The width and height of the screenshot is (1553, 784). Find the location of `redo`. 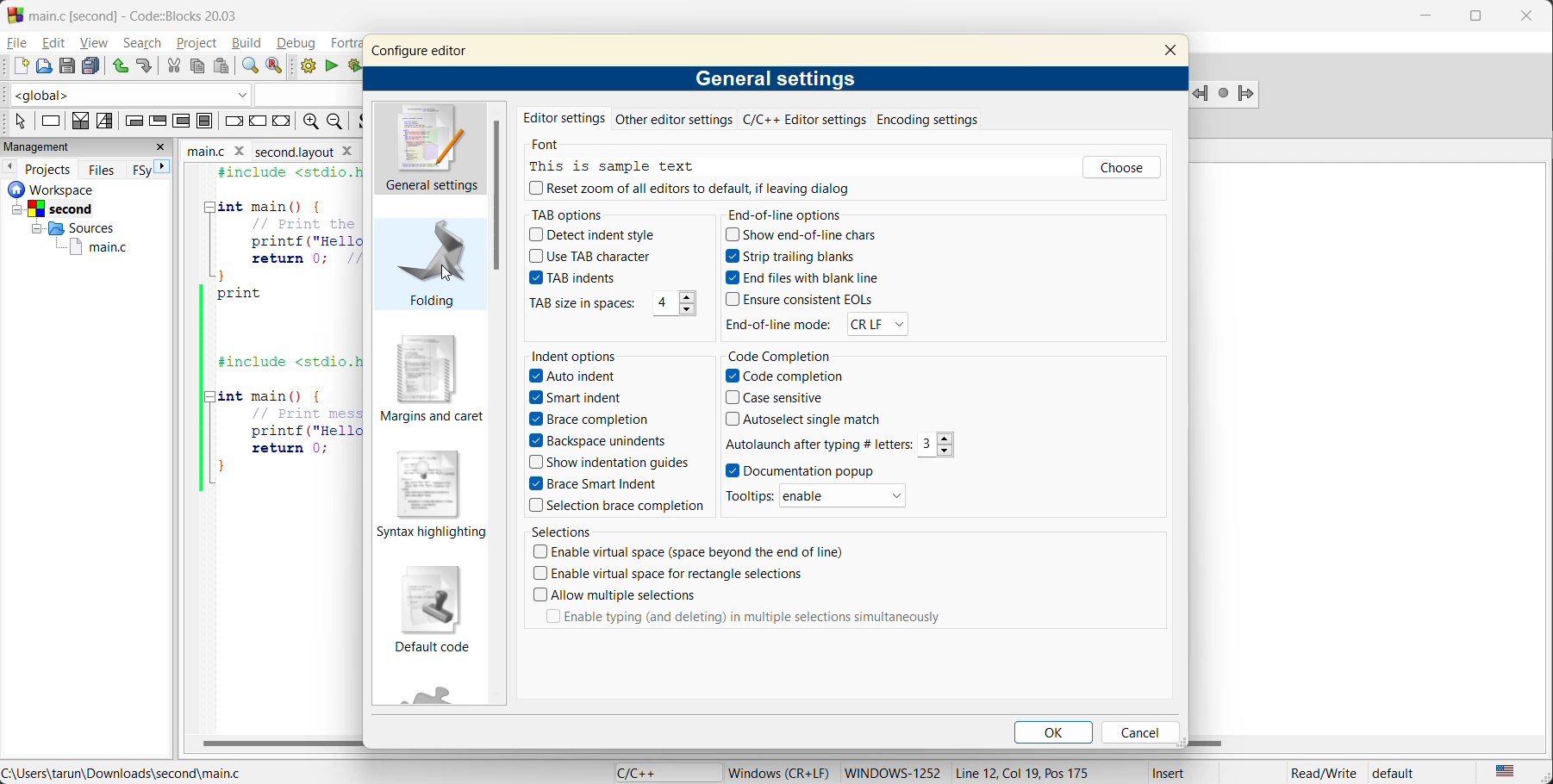

redo is located at coordinates (143, 65).